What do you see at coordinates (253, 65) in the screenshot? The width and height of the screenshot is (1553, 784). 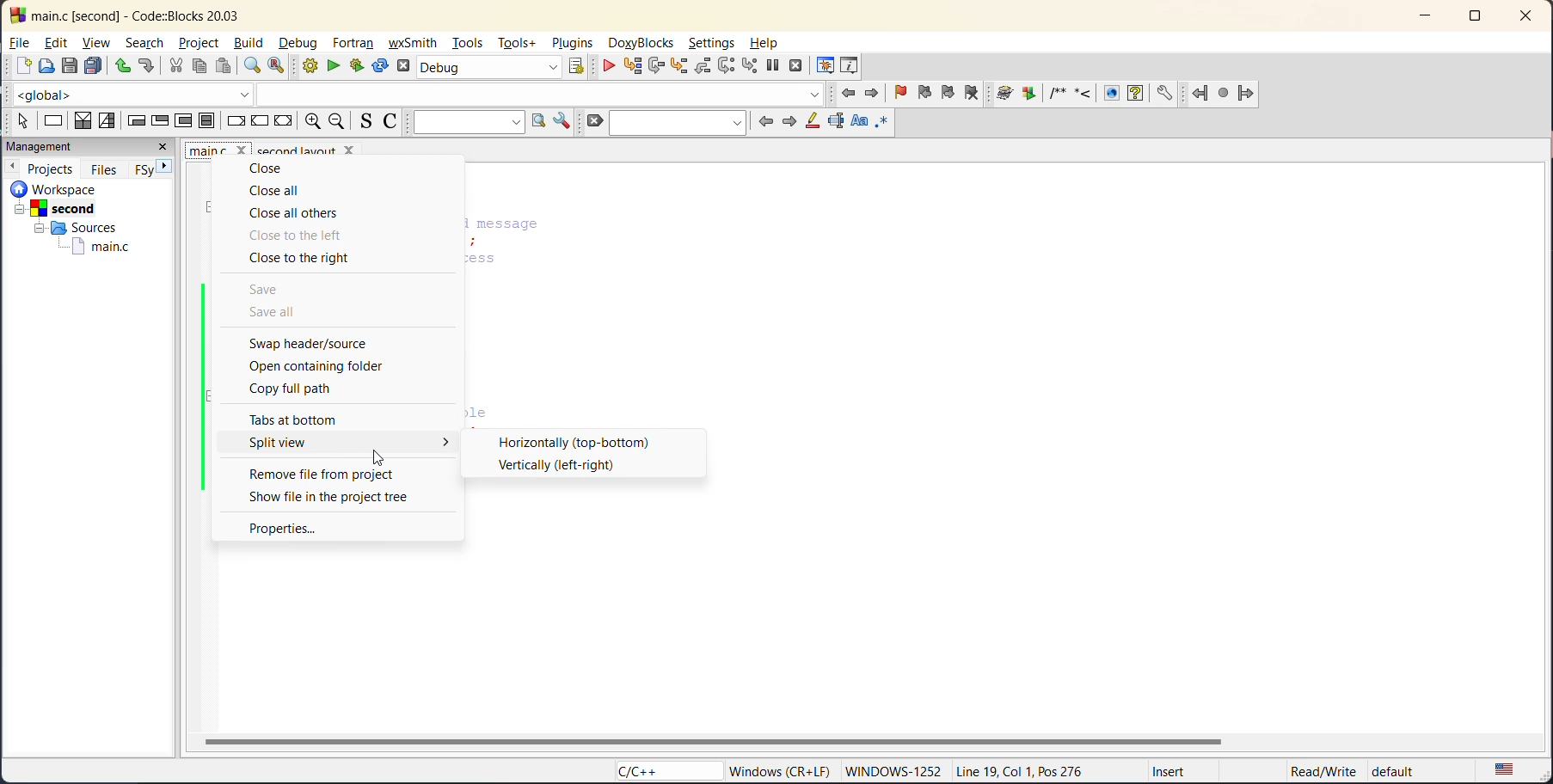 I see `find` at bounding box center [253, 65].